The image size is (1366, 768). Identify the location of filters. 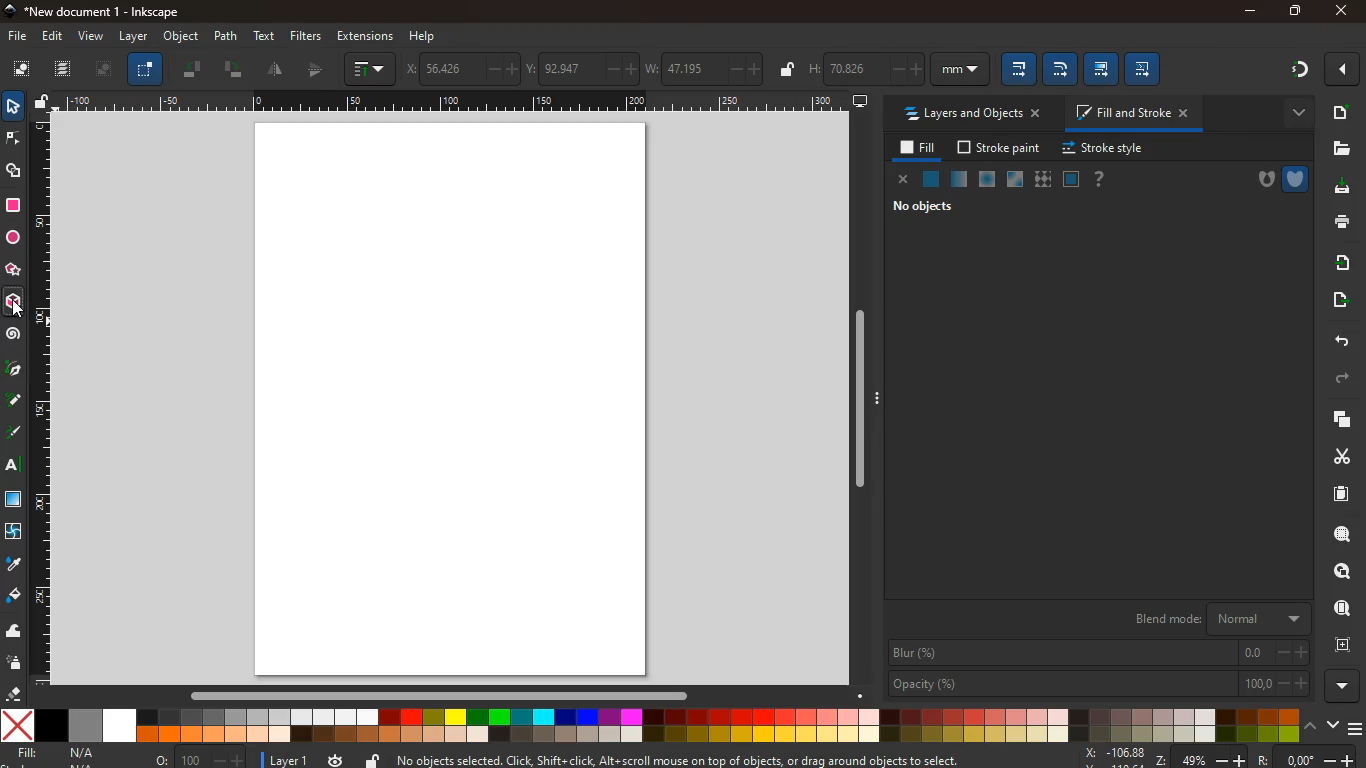
(303, 36).